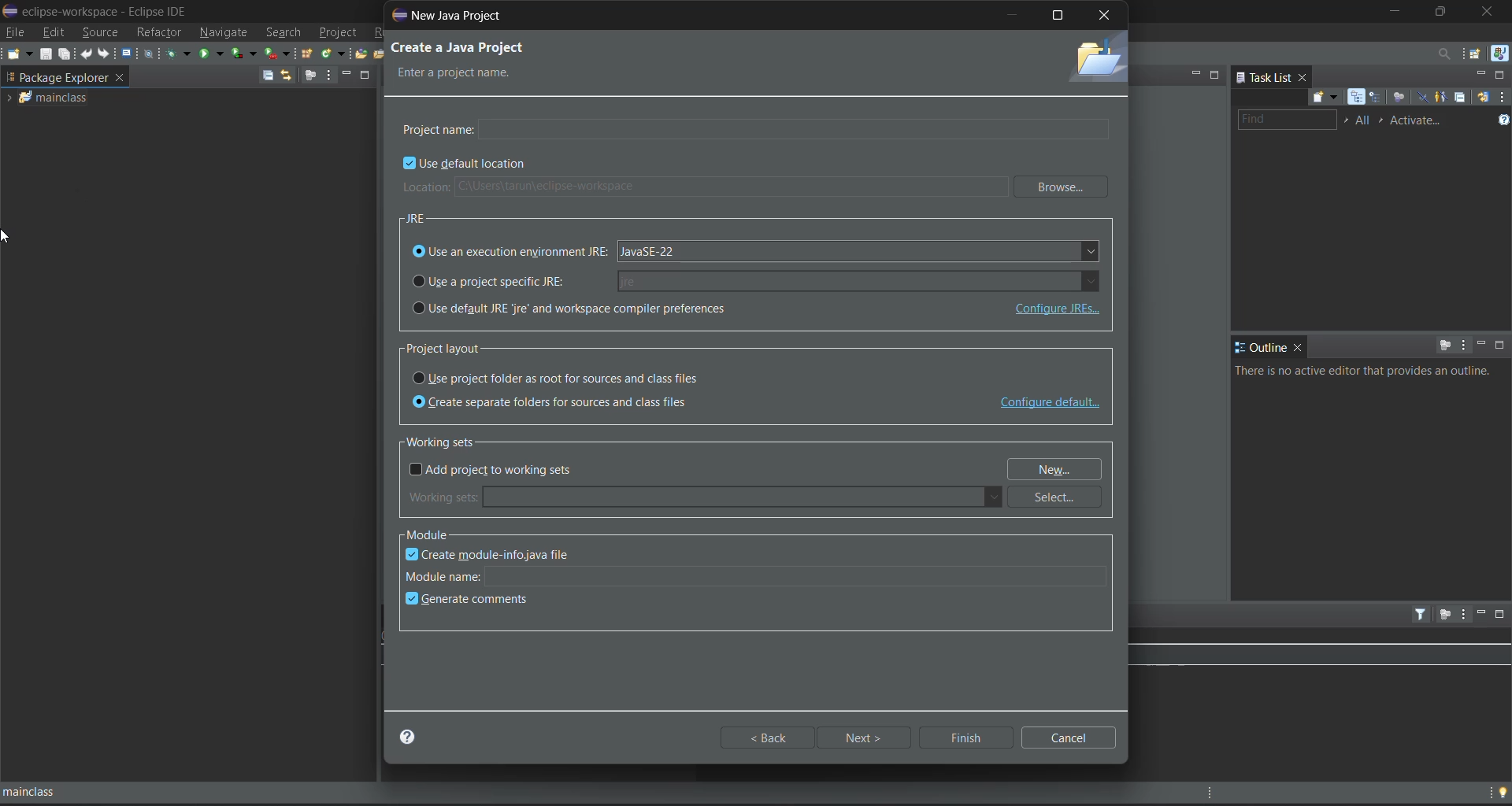  What do you see at coordinates (1443, 615) in the screenshot?
I see `focus on active task` at bounding box center [1443, 615].